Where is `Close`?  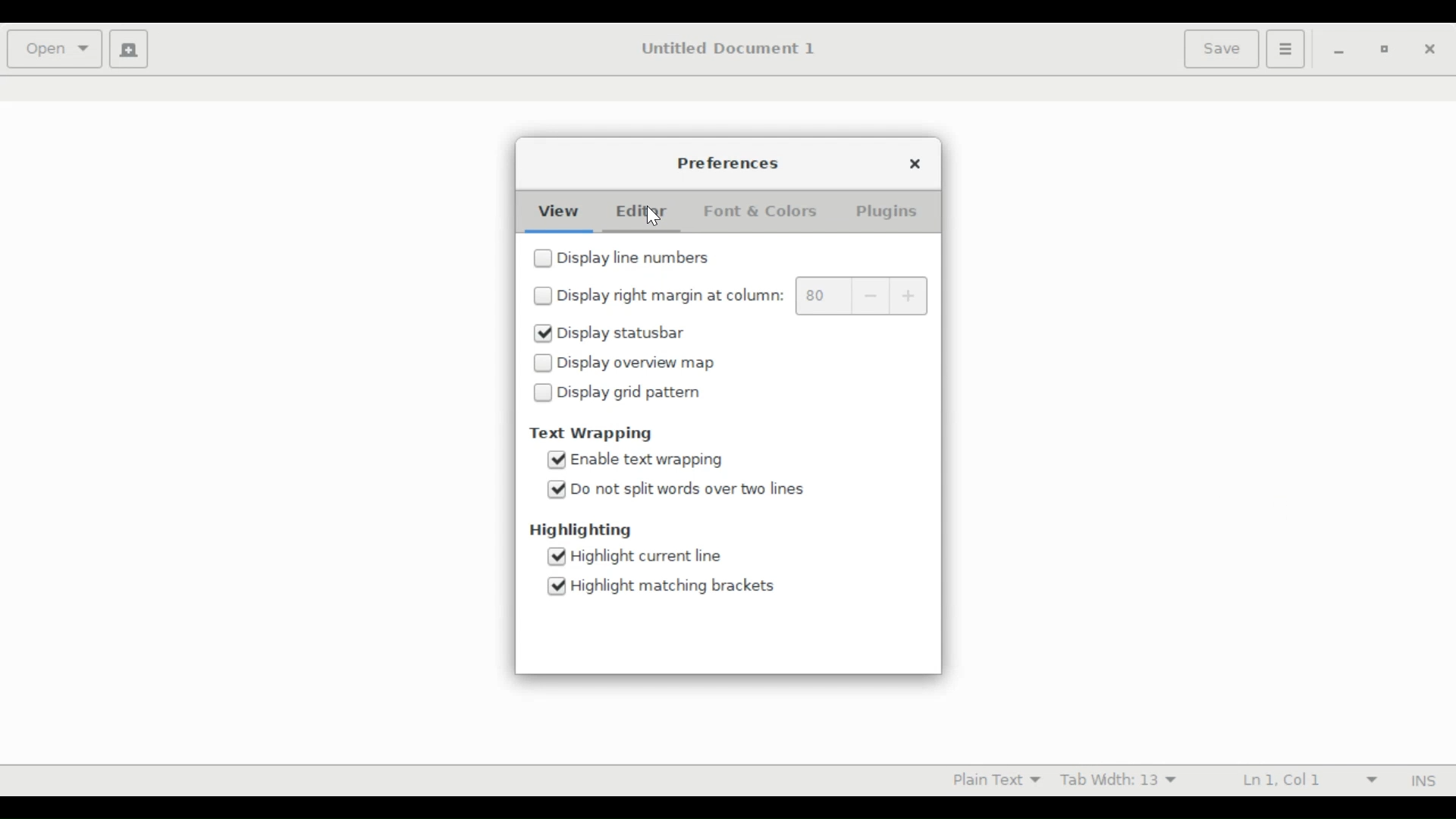
Close is located at coordinates (918, 164).